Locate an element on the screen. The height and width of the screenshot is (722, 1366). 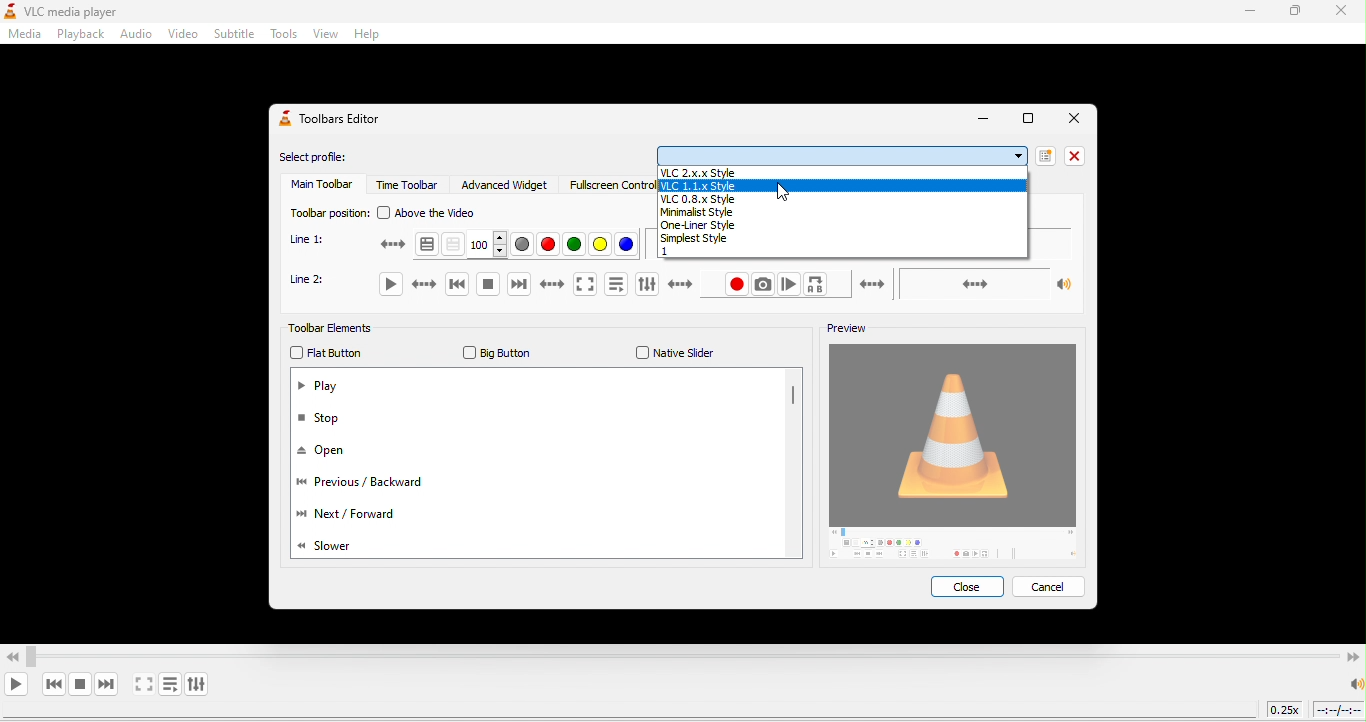
Video Scrollbar is located at coordinates (683, 652).